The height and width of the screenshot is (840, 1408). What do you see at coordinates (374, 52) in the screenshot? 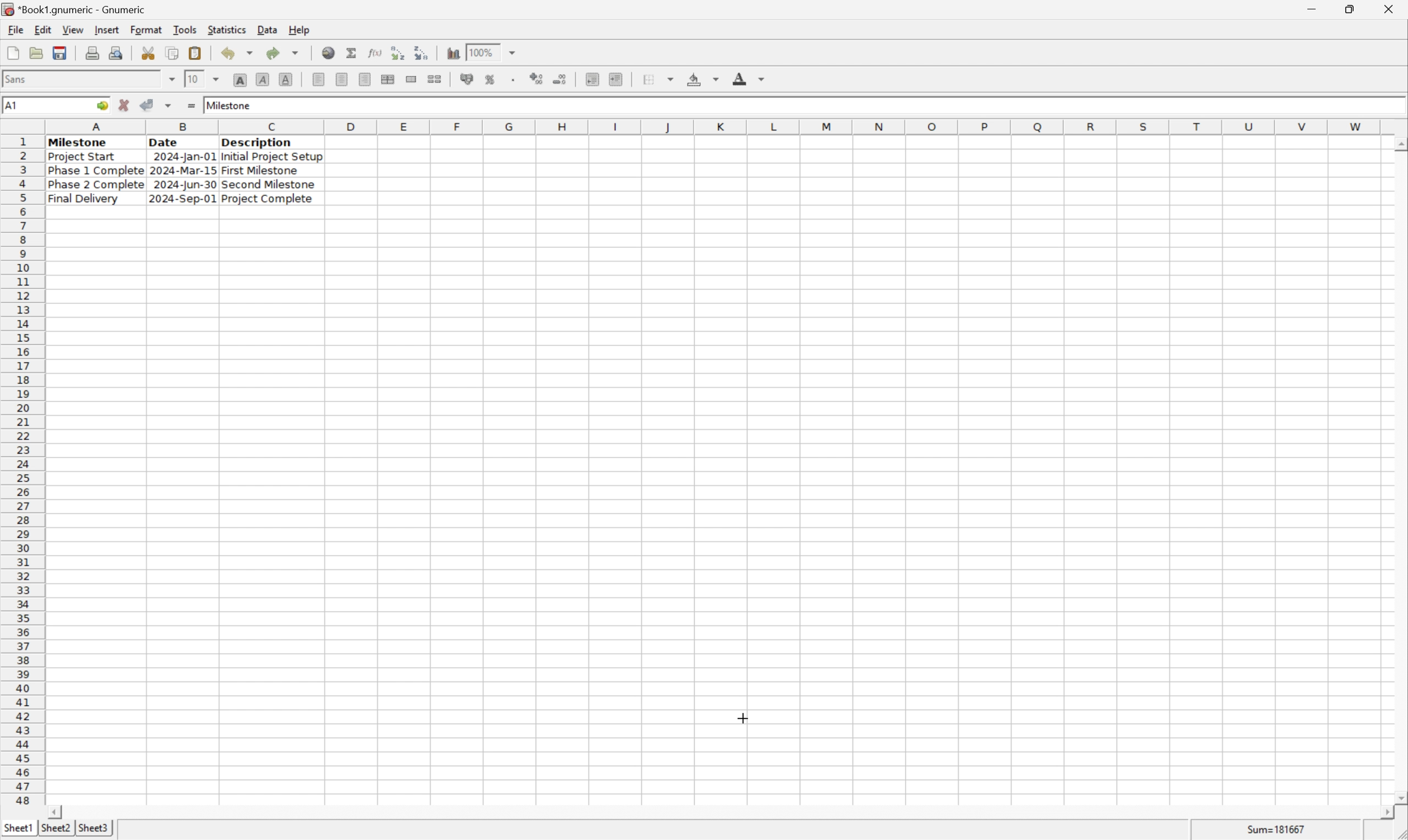
I see `edit function in current cell` at bounding box center [374, 52].